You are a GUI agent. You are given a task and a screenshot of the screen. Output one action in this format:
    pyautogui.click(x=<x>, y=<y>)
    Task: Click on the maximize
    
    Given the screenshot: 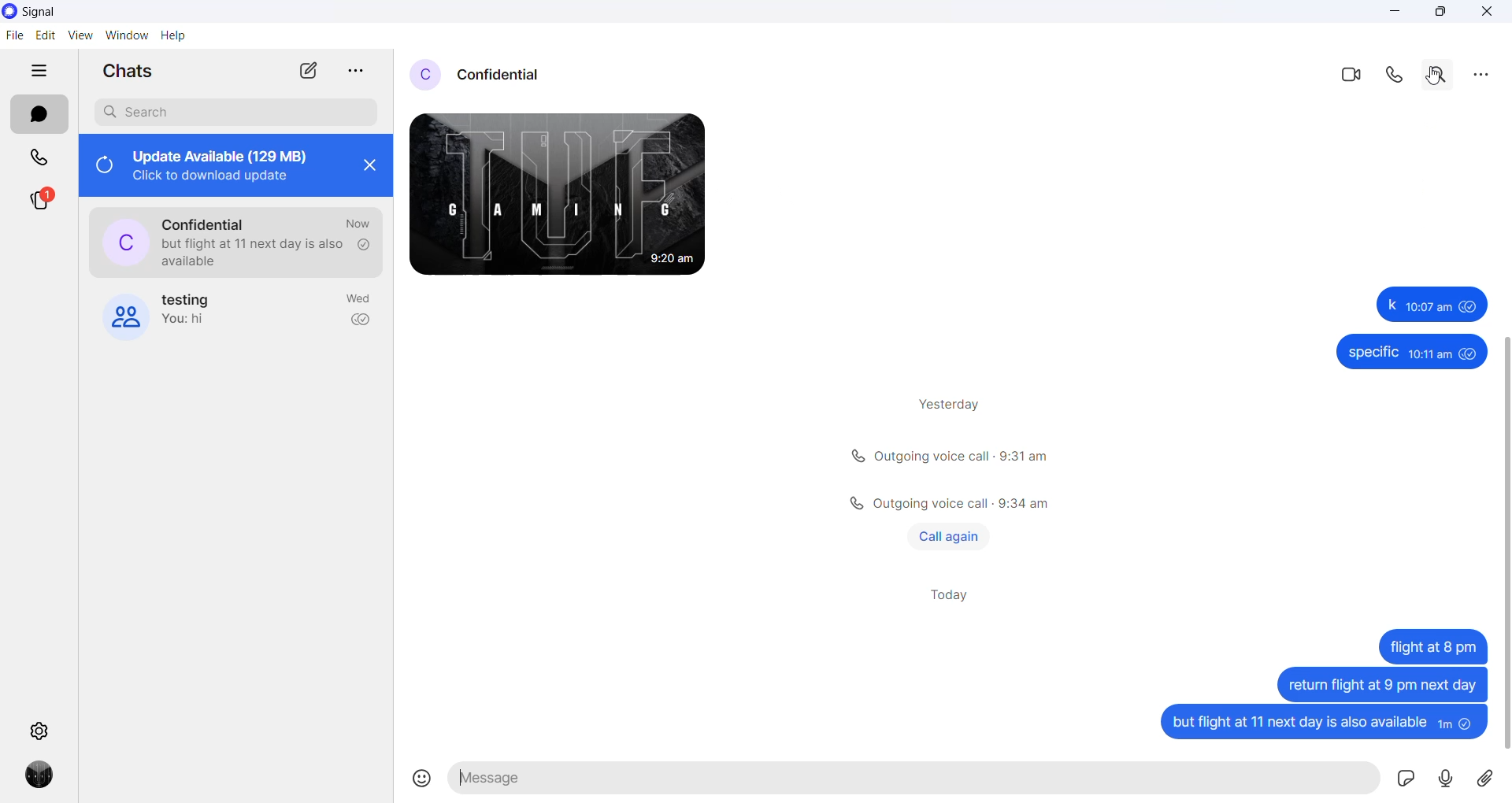 What is the action you would take?
    pyautogui.click(x=1440, y=13)
    